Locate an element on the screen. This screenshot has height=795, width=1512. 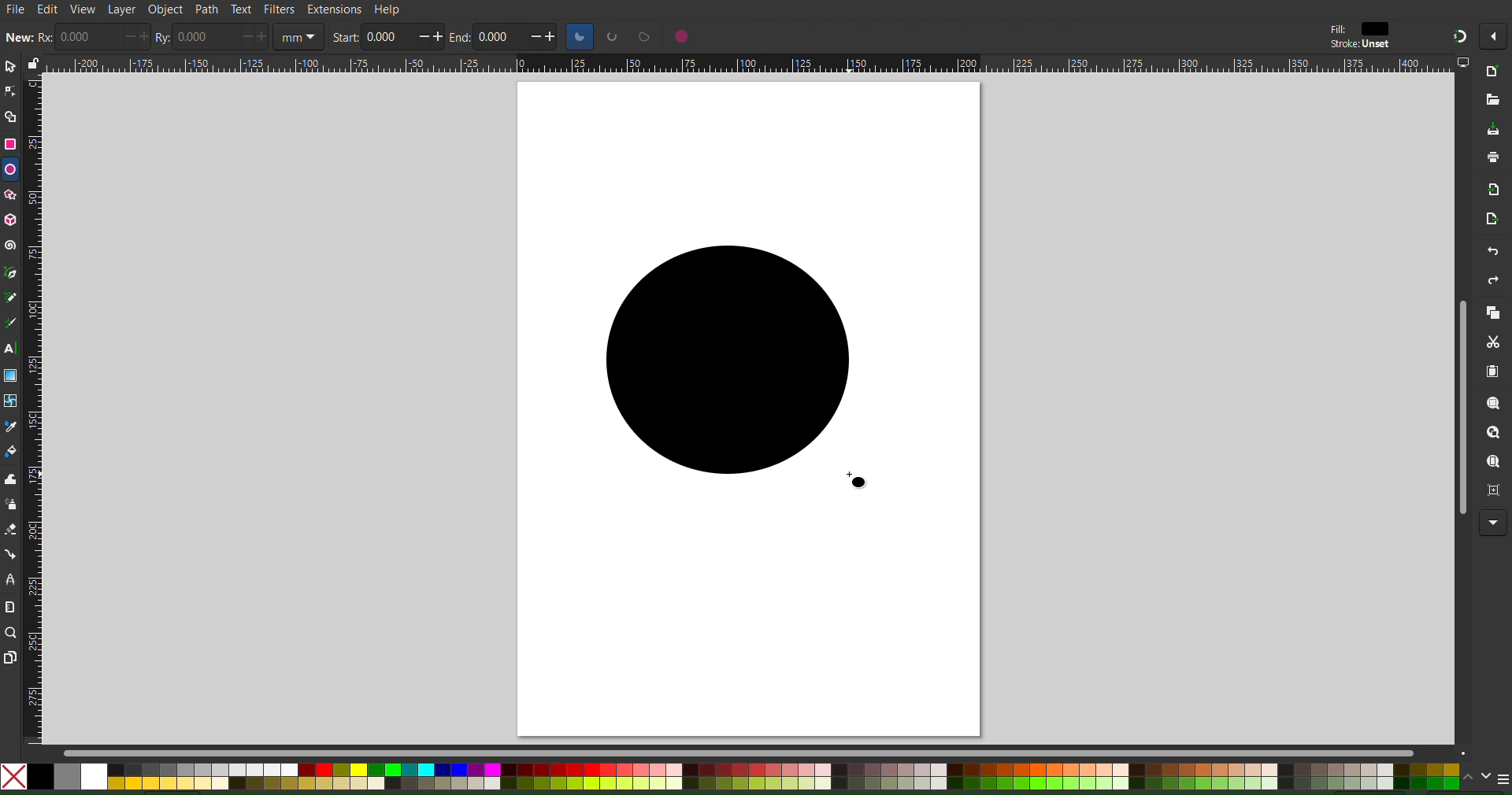
3D Box Tool is located at coordinates (10, 219).